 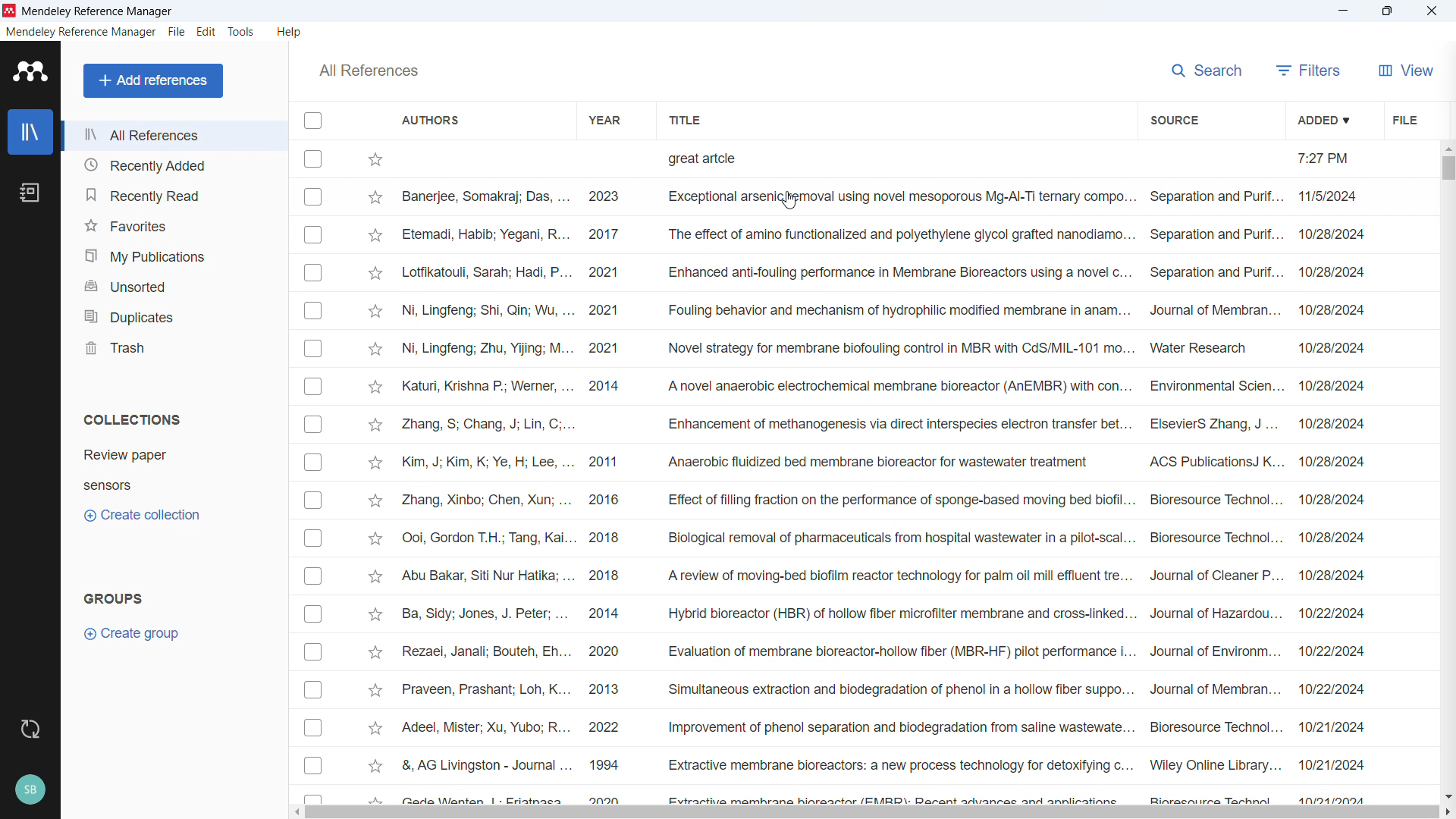 I want to click on Sort by title , so click(x=685, y=119).